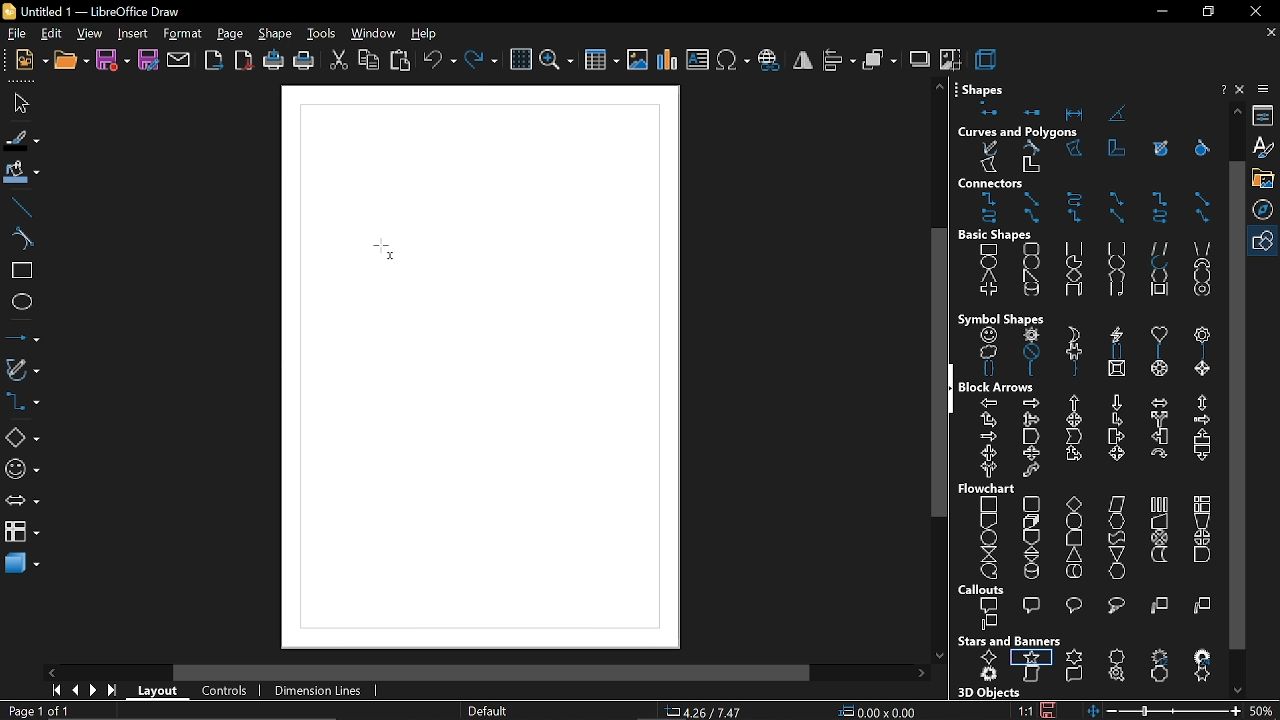 This screenshot has height=720, width=1280. I want to click on previous page, so click(75, 691).